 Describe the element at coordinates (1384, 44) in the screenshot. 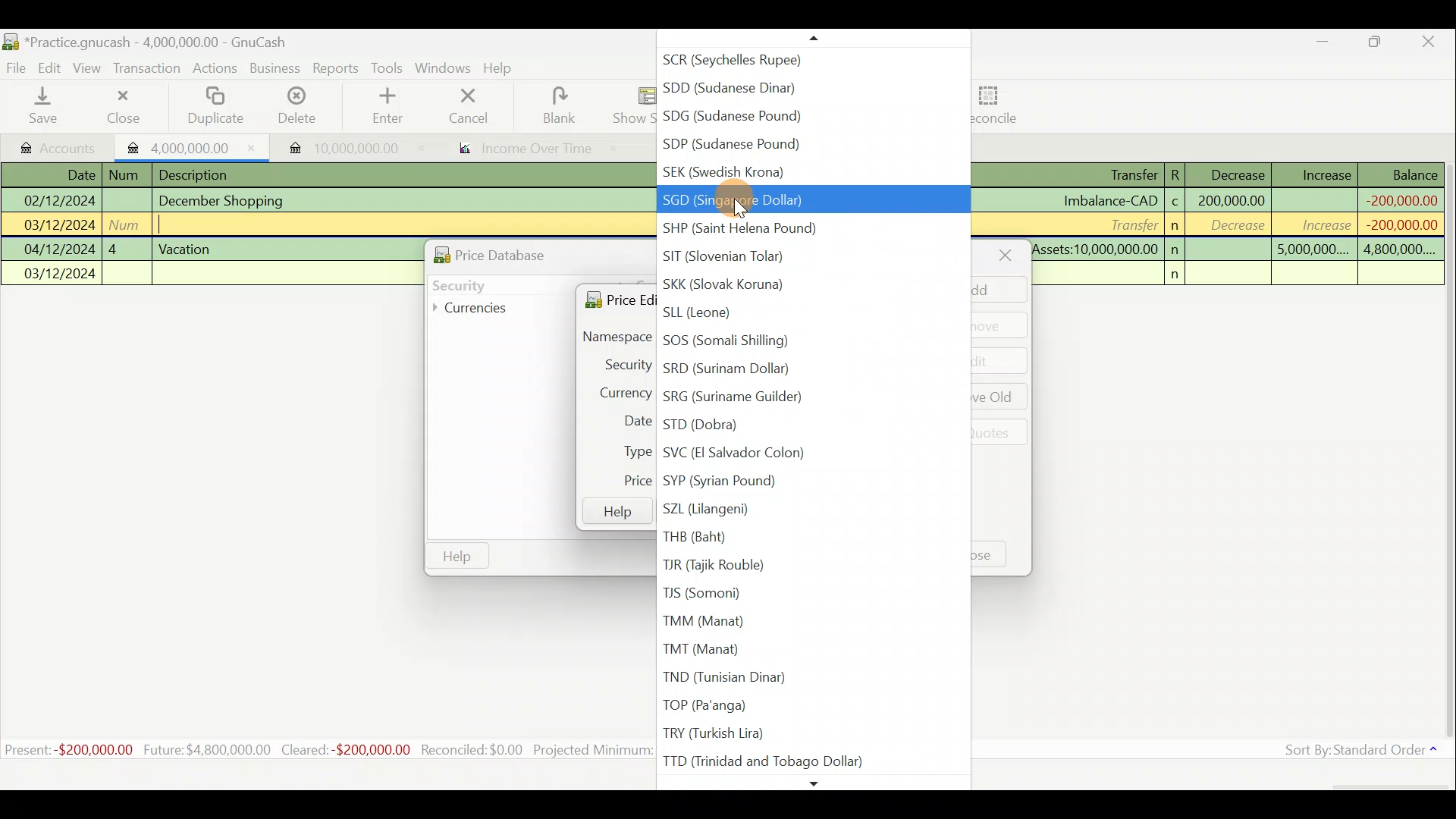

I see `Maximise` at that location.